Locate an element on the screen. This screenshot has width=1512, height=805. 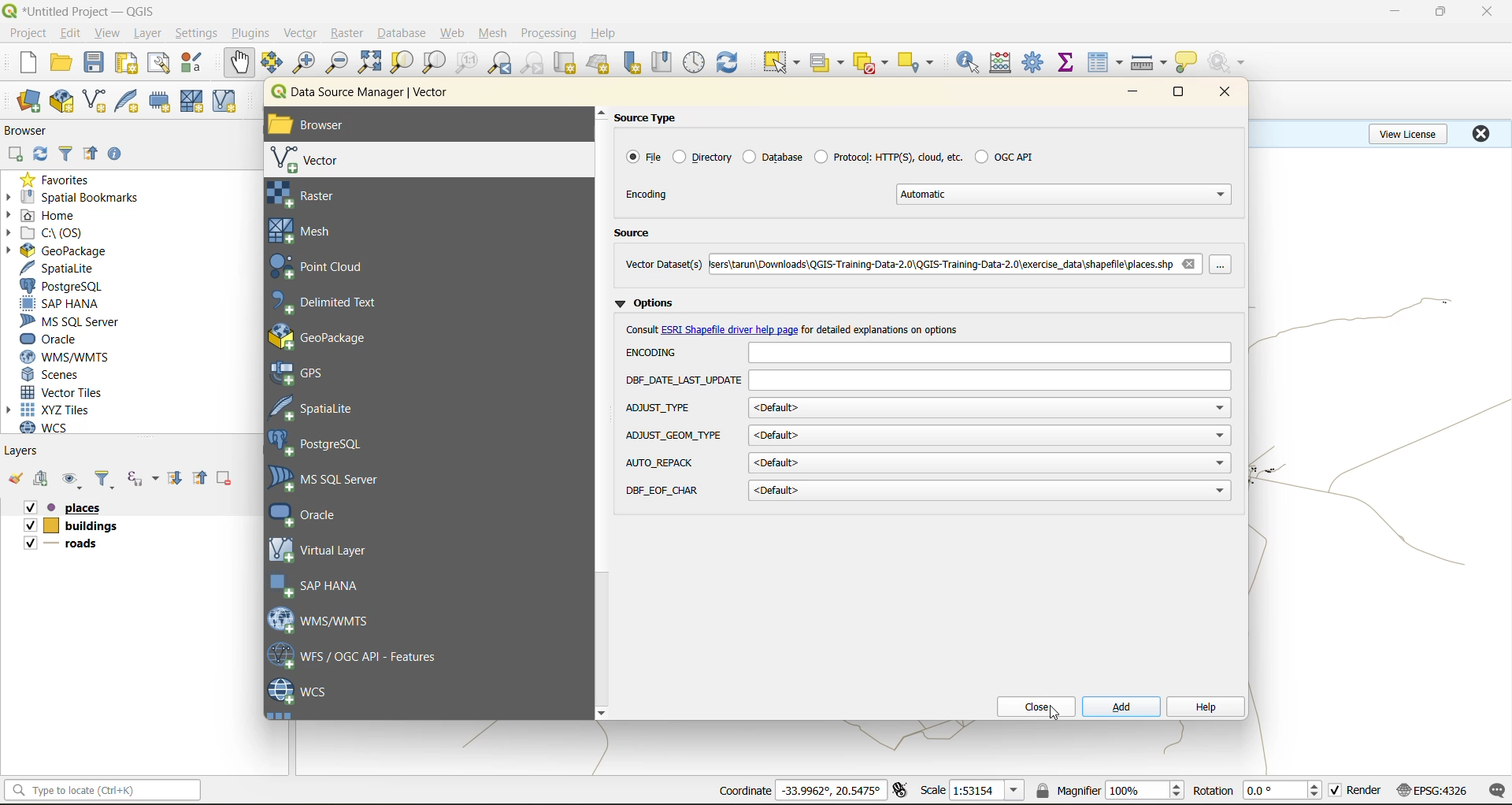
tool box is located at coordinates (1035, 61).